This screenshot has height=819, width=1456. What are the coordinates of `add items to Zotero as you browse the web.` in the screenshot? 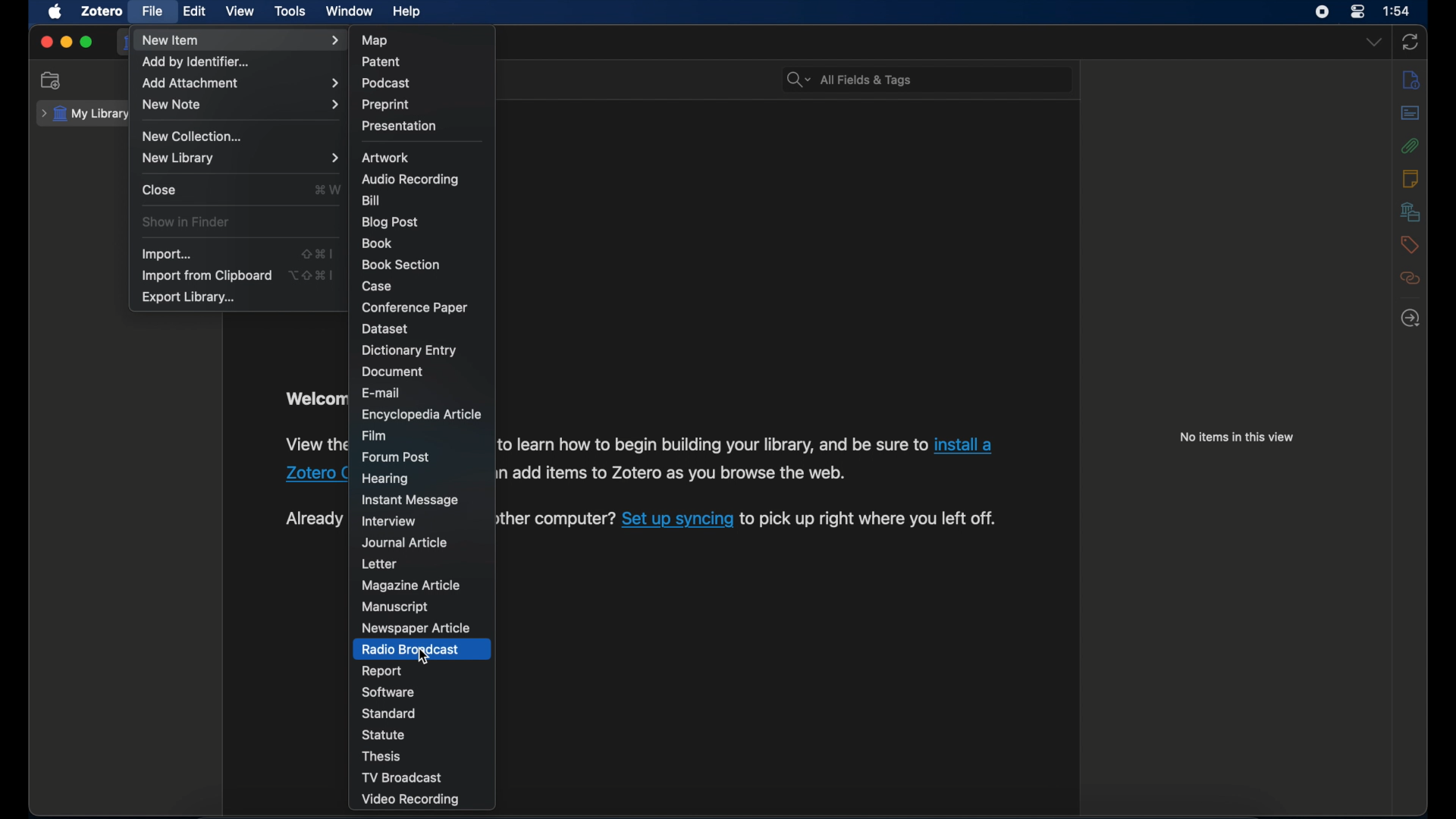 It's located at (679, 473).